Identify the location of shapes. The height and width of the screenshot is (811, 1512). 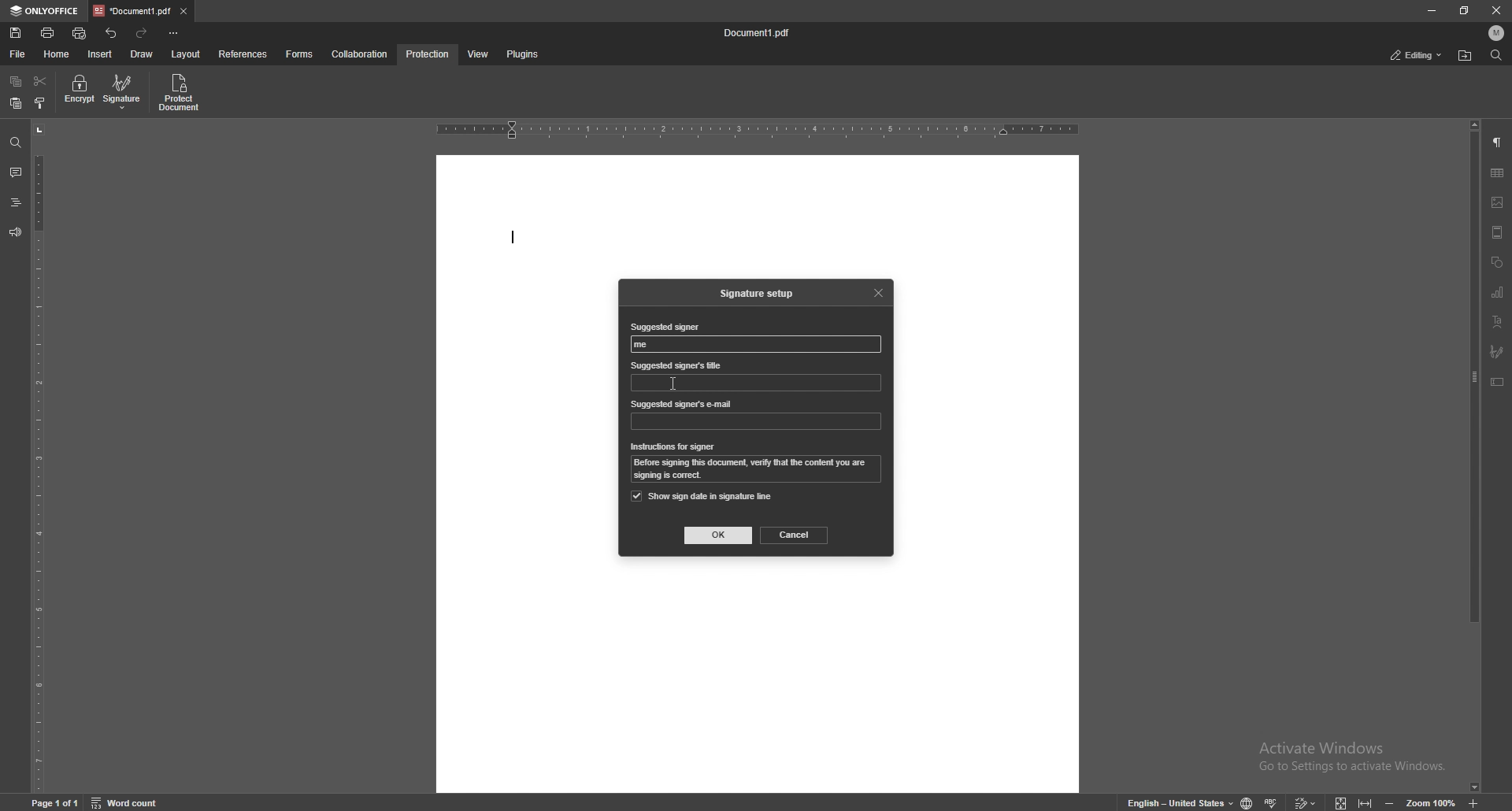
(1496, 263).